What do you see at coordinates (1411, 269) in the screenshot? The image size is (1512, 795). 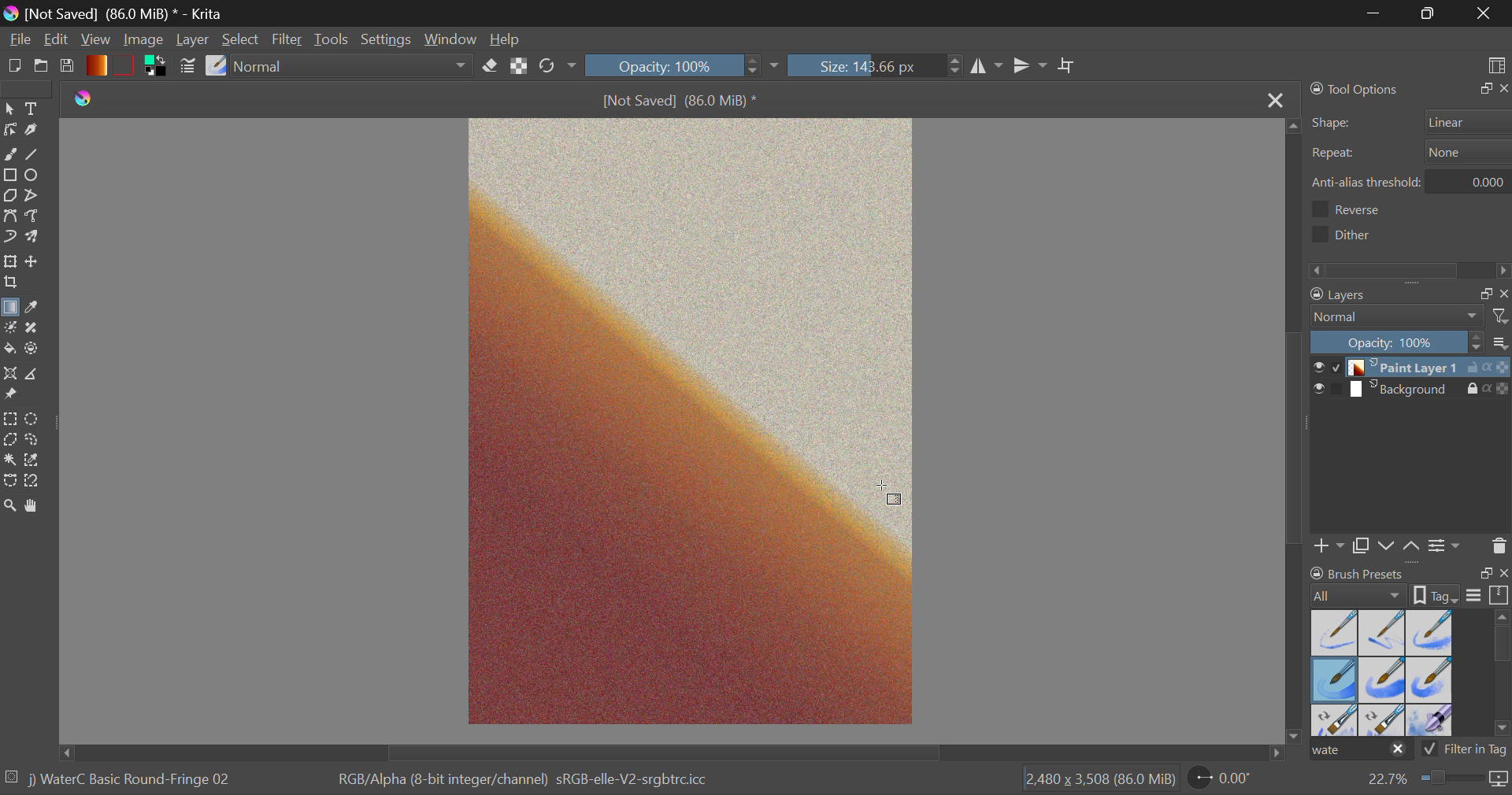 I see `horizontal scrollbar` at bounding box center [1411, 269].